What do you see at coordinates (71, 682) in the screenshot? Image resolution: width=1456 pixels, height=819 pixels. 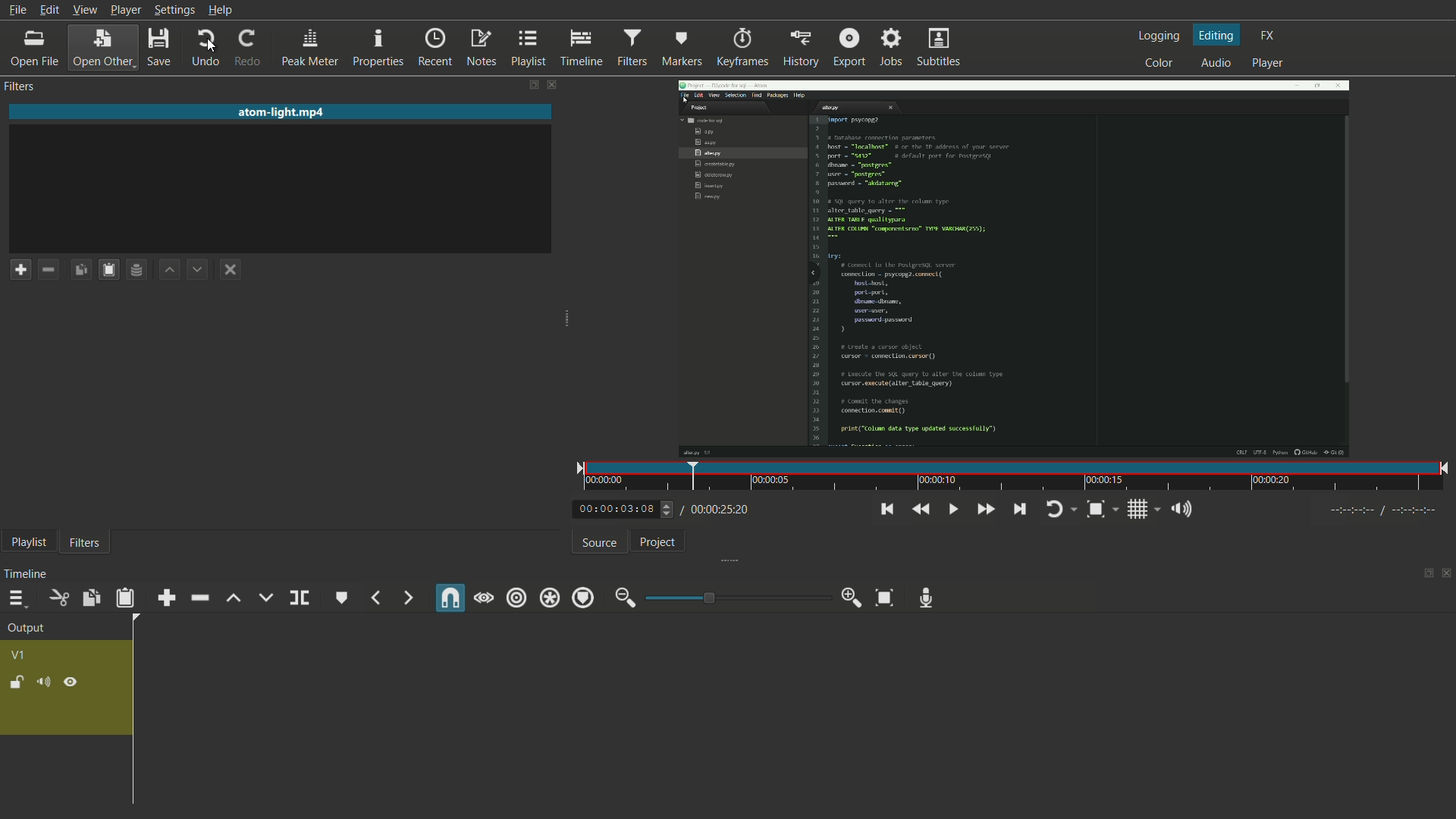 I see `link` at bounding box center [71, 682].